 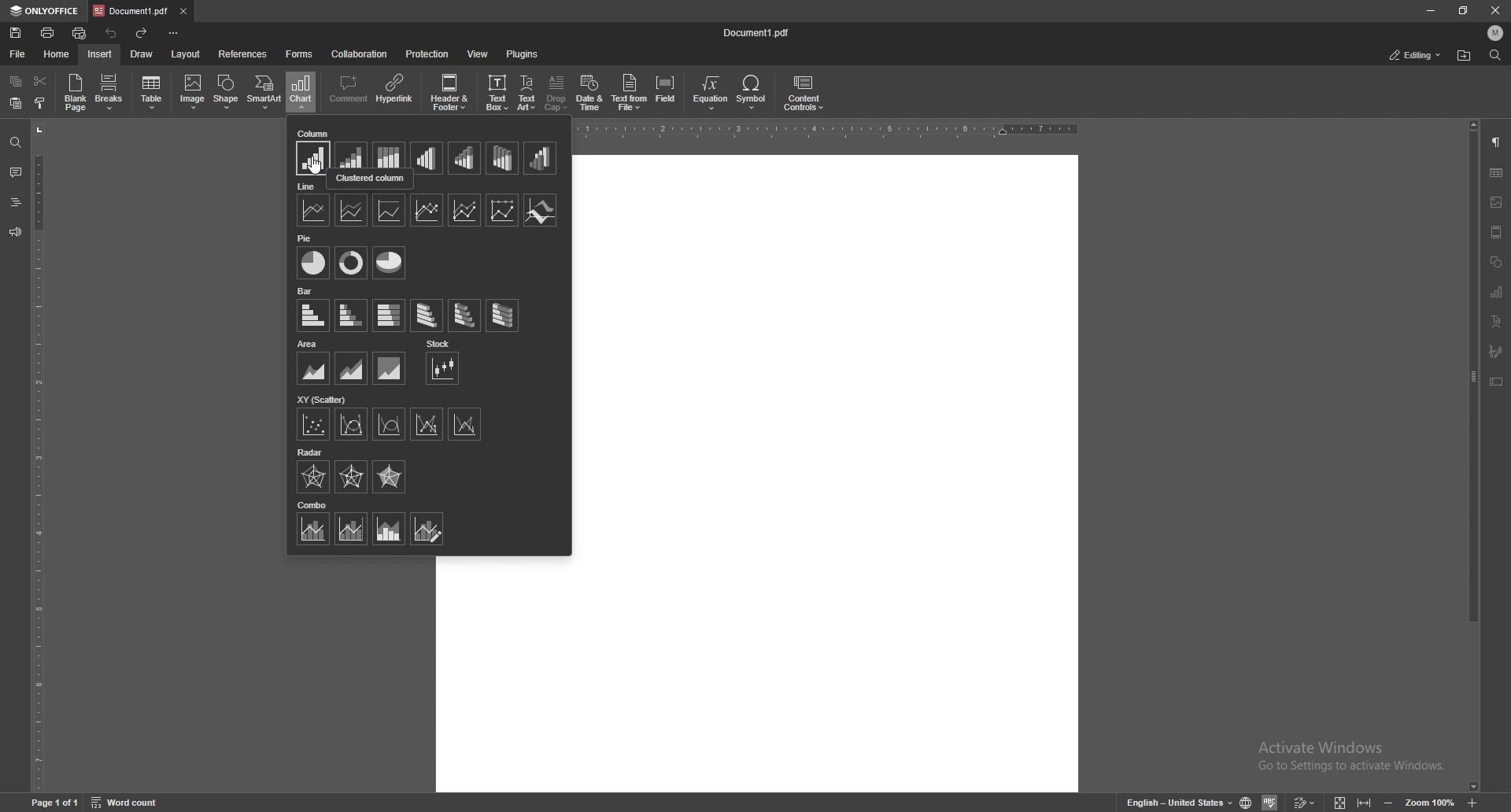 What do you see at coordinates (390, 476) in the screenshot?
I see `filled radar` at bounding box center [390, 476].